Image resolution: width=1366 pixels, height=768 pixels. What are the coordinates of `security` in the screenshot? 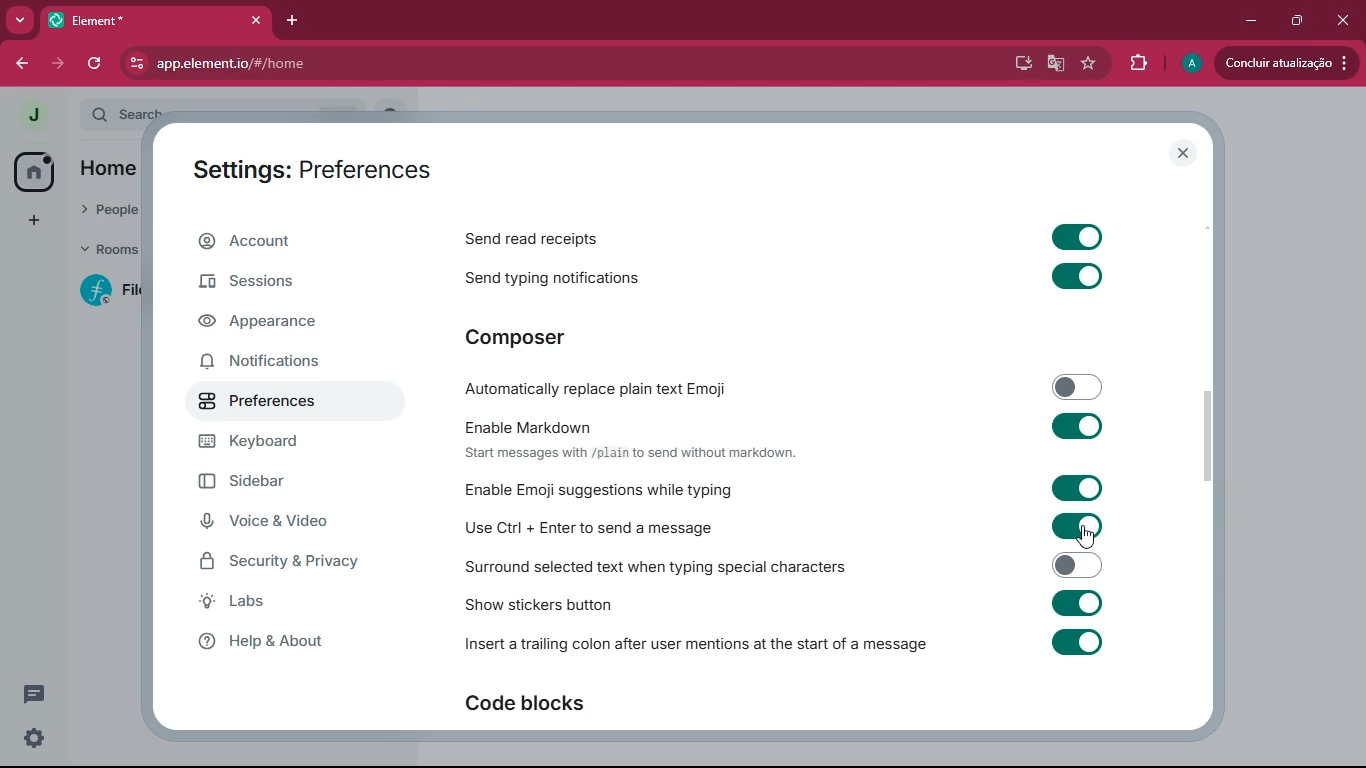 It's located at (296, 561).